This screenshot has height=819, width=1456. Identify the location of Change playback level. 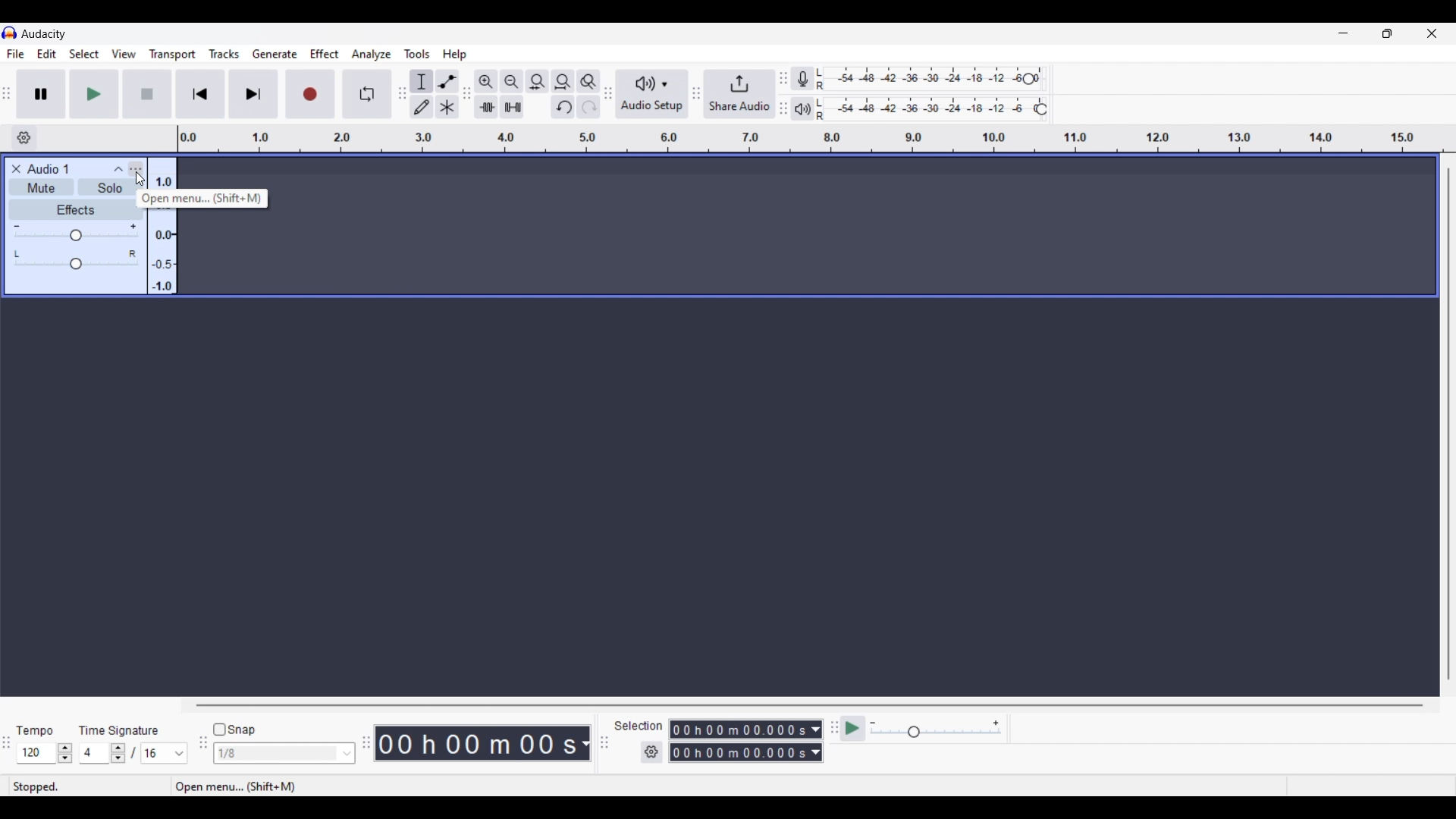
(1041, 110).